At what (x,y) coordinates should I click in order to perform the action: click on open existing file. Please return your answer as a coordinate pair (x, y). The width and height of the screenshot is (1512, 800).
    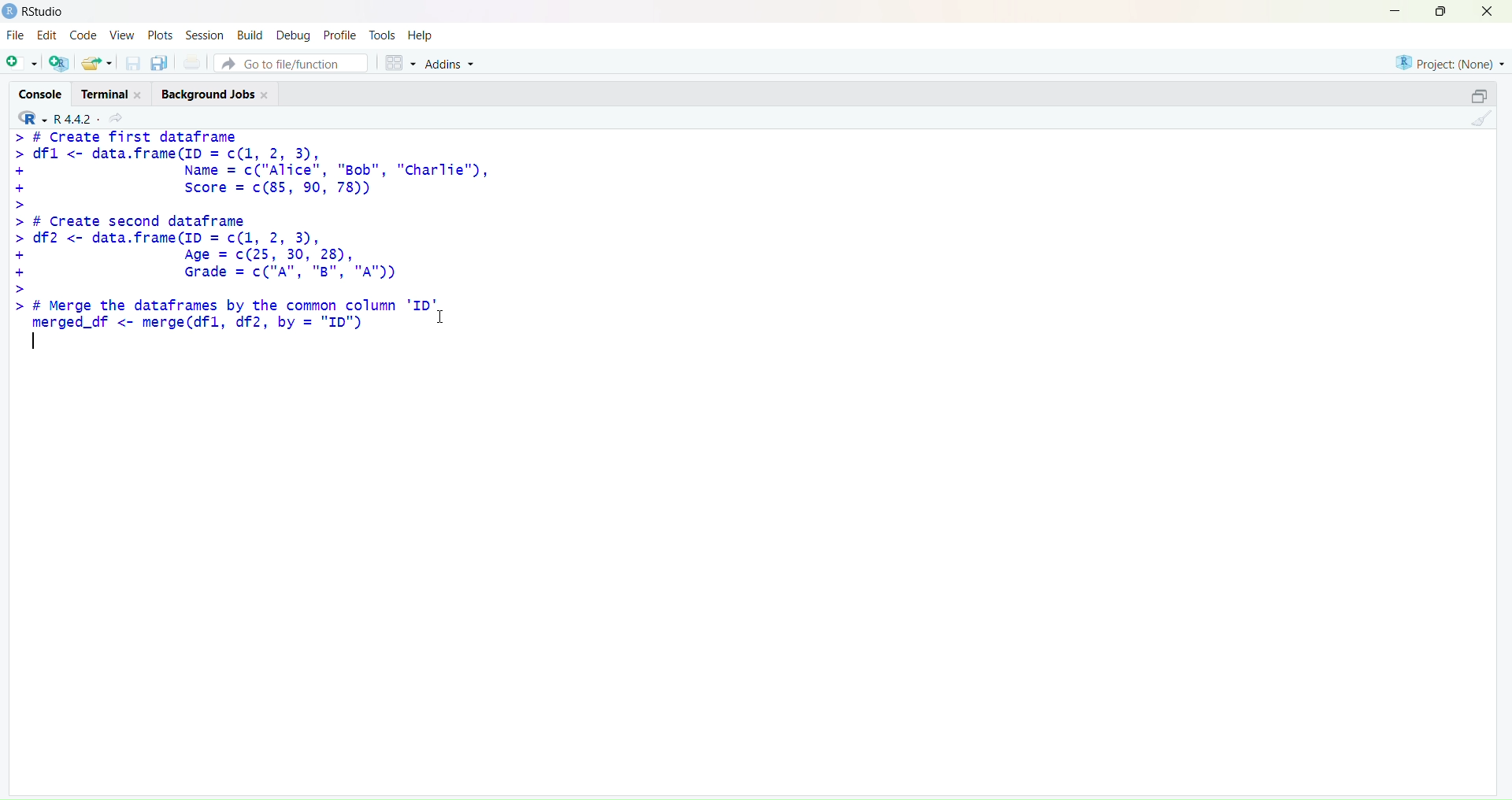
    Looking at the image, I should click on (99, 63).